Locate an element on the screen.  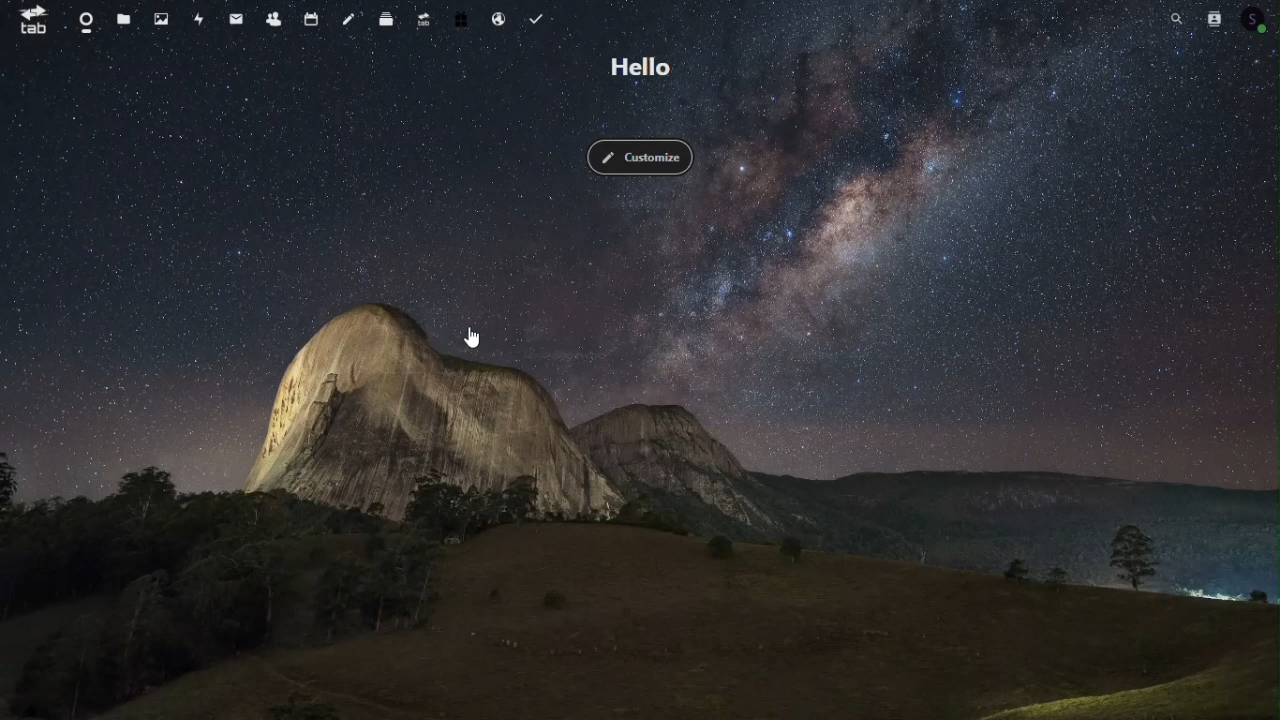
Dashboard is located at coordinates (79, 19).